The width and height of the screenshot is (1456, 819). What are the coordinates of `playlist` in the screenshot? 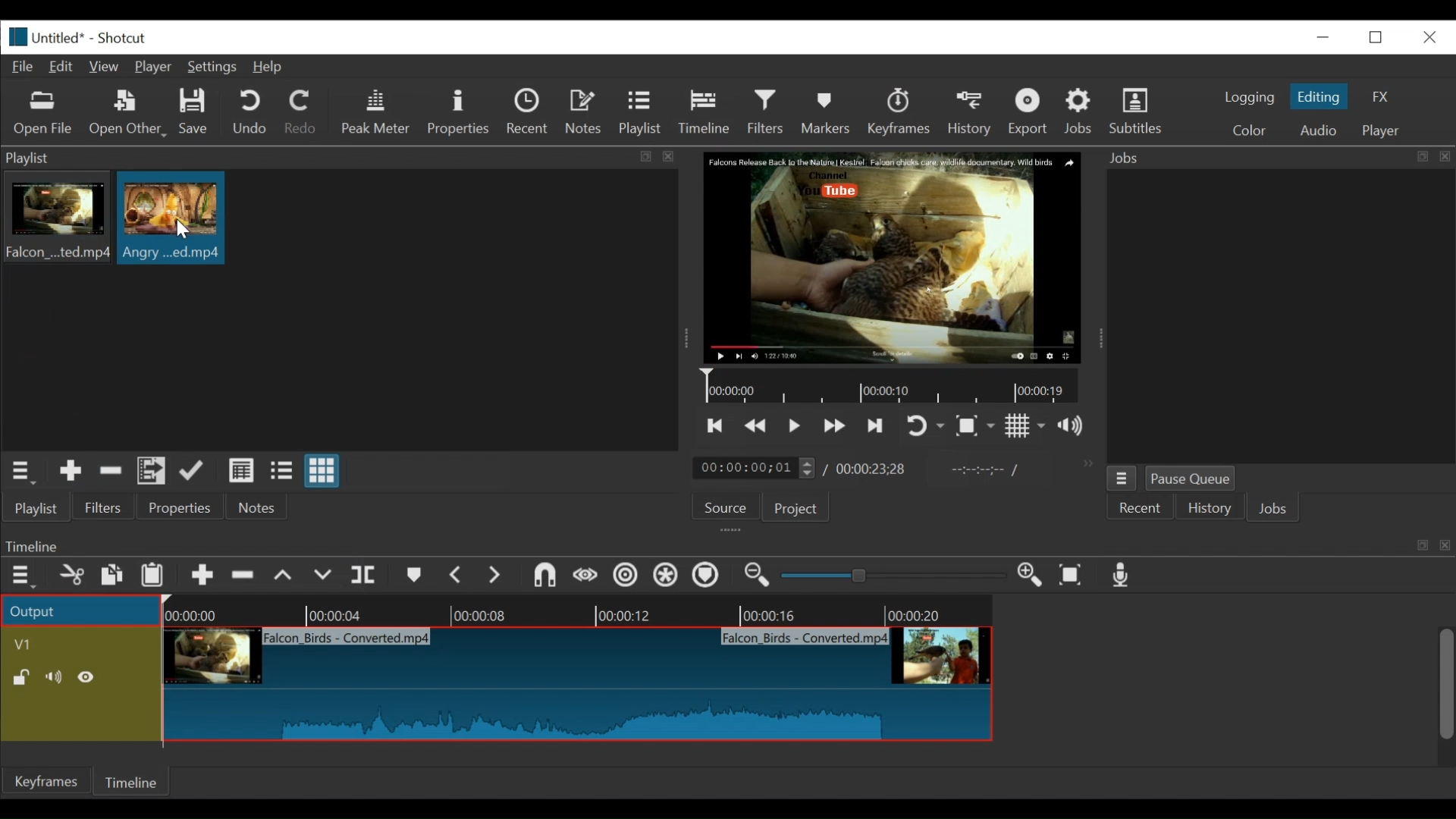 It's located at (35, 508).